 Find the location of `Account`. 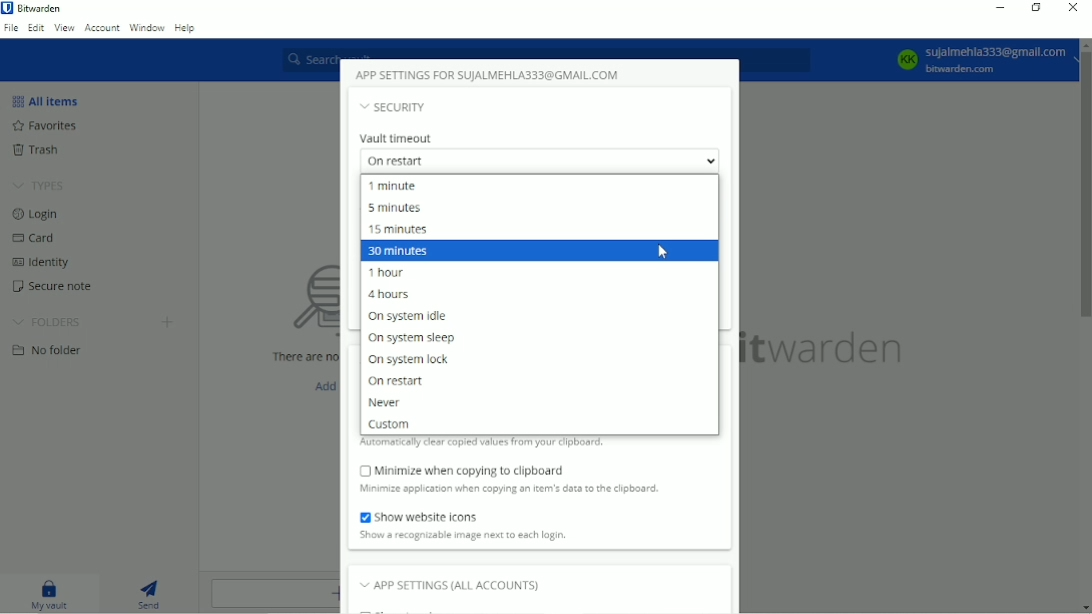

Account is located at coordinates (102, 29).